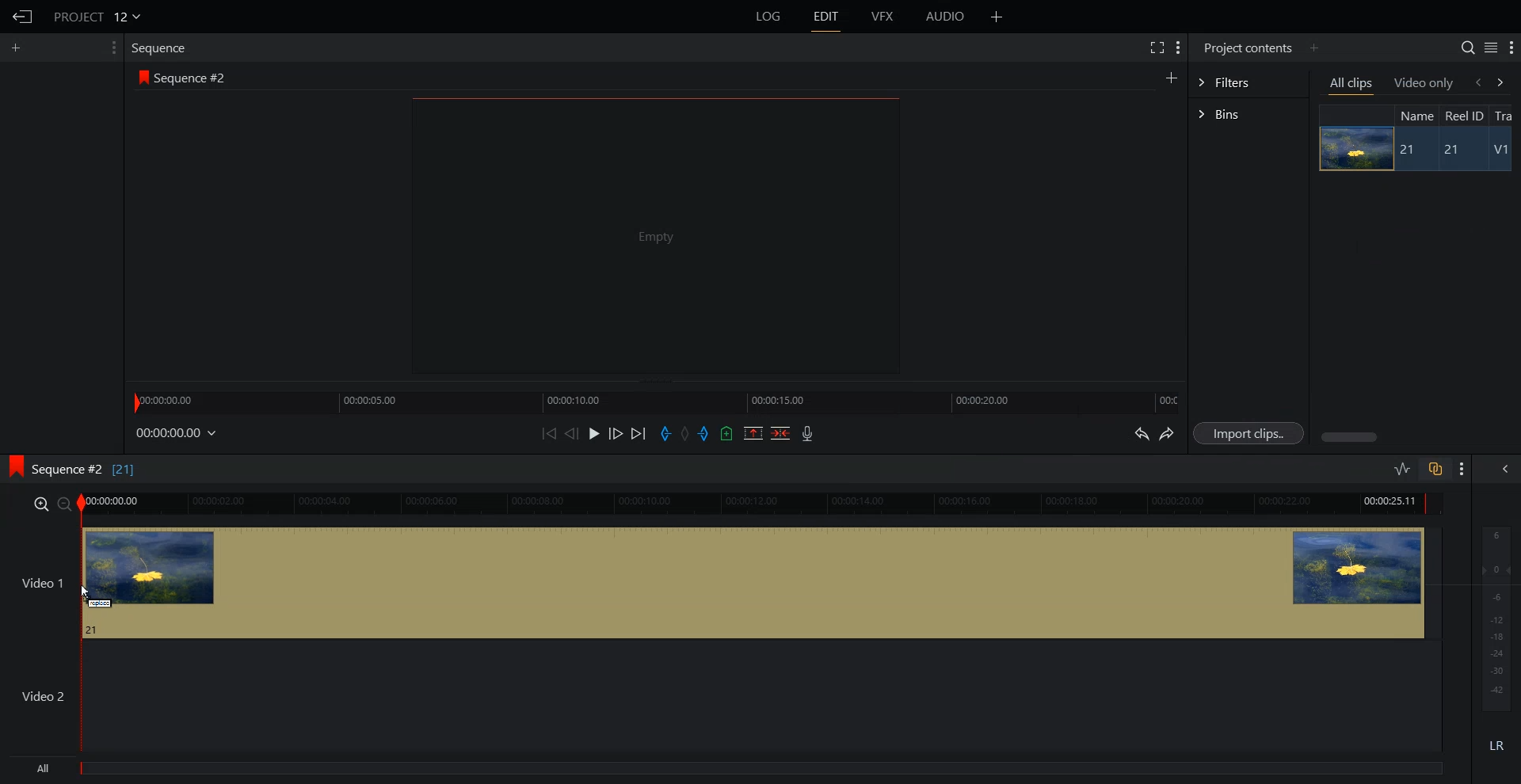  What do you see at coordinates (1179, 49) in the screenshot?
I see `Show Setting Menu` at bounding box center [1179, 49].